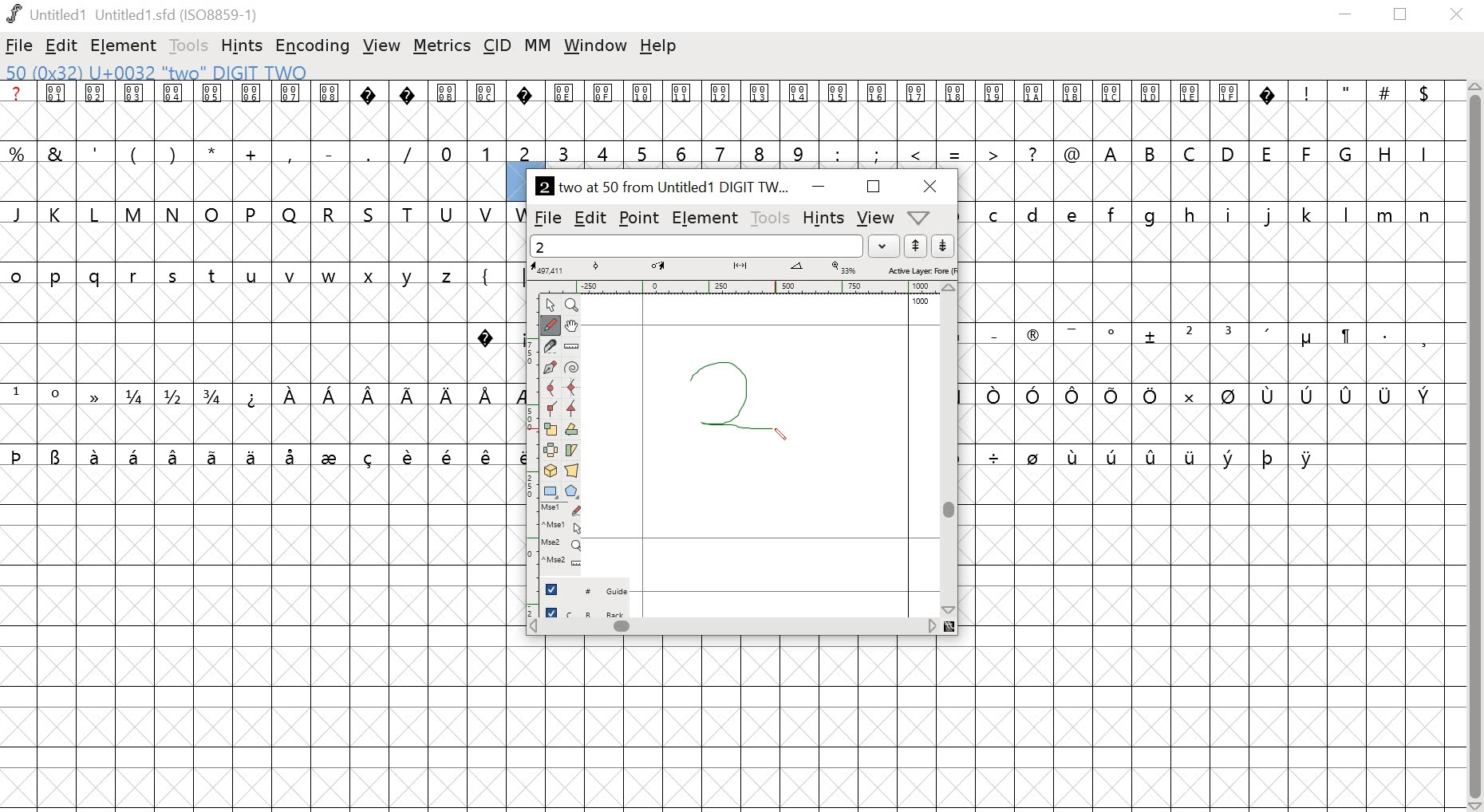 The width and height of the screenshot is (1484, 812). Describe the element at coordinates (384, 44) in the screenshot. I see `view` at that location.